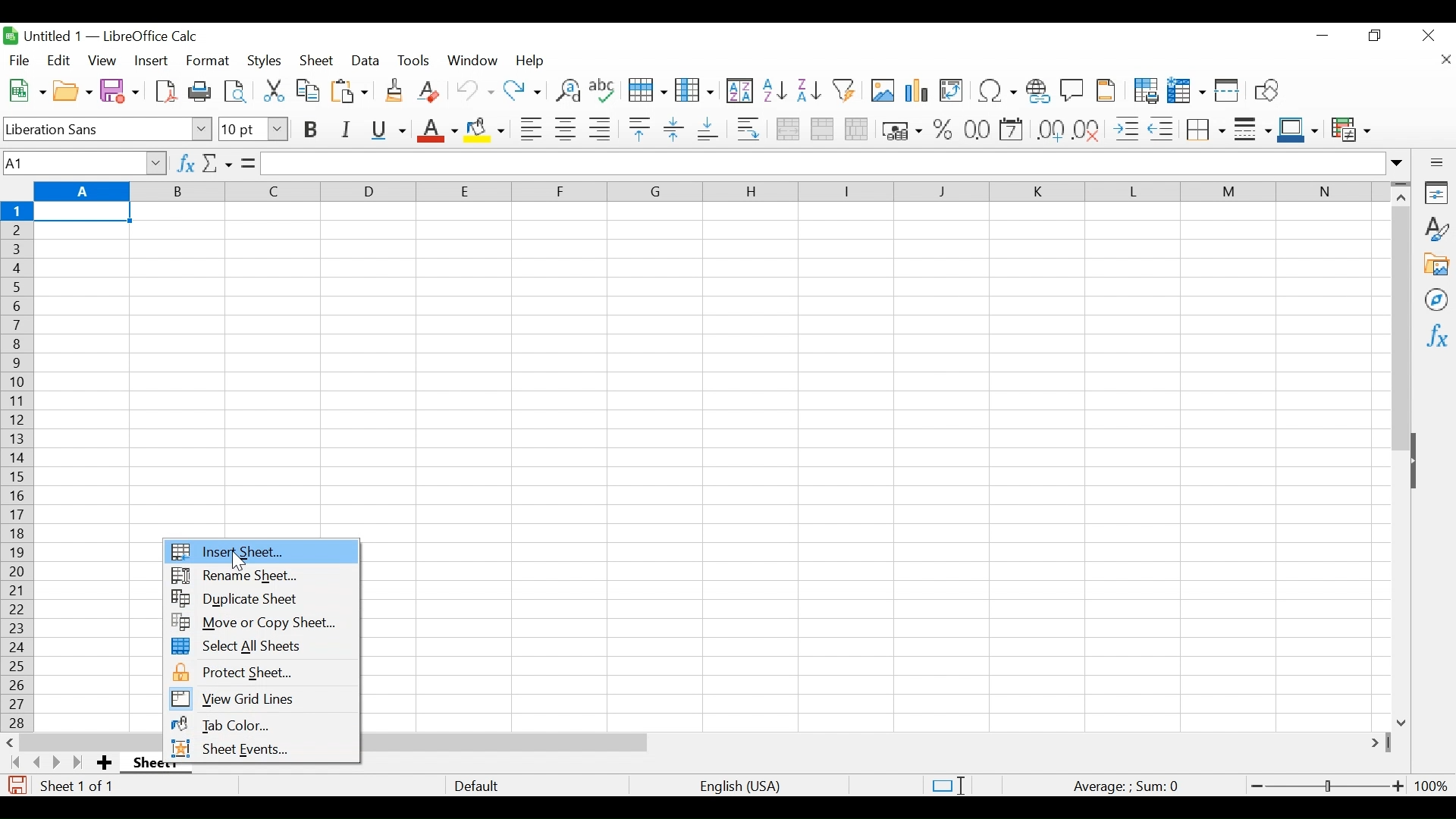 The image size is (1456, 819). What do you see at coordinates (35, 762) in the screenshot?
I see `Scroll to the previous sheet` at bounding box center [35, 762].